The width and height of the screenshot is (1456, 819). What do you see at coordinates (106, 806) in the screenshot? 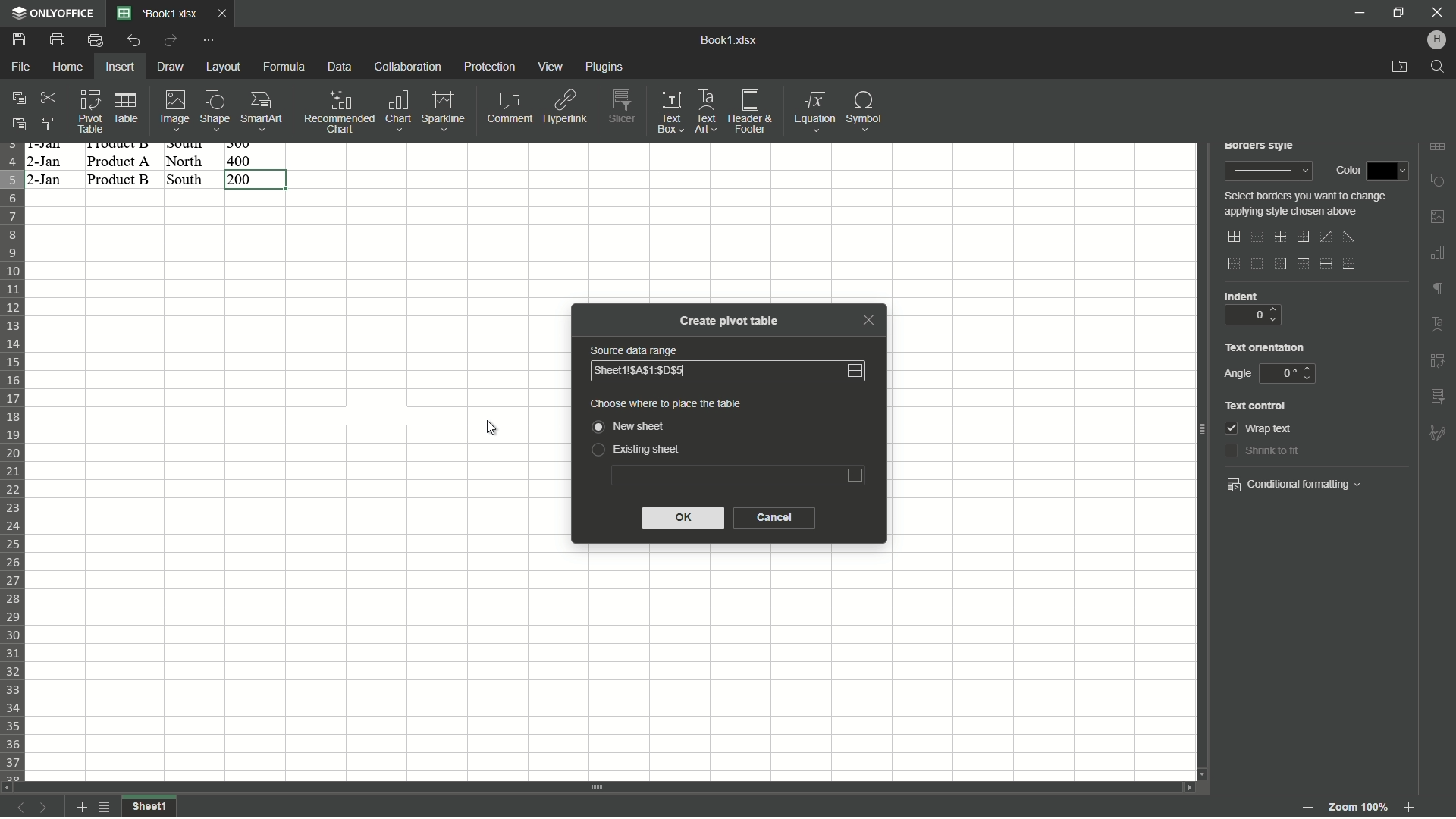
I see `list of sheets` at bounding box center [106, 806].